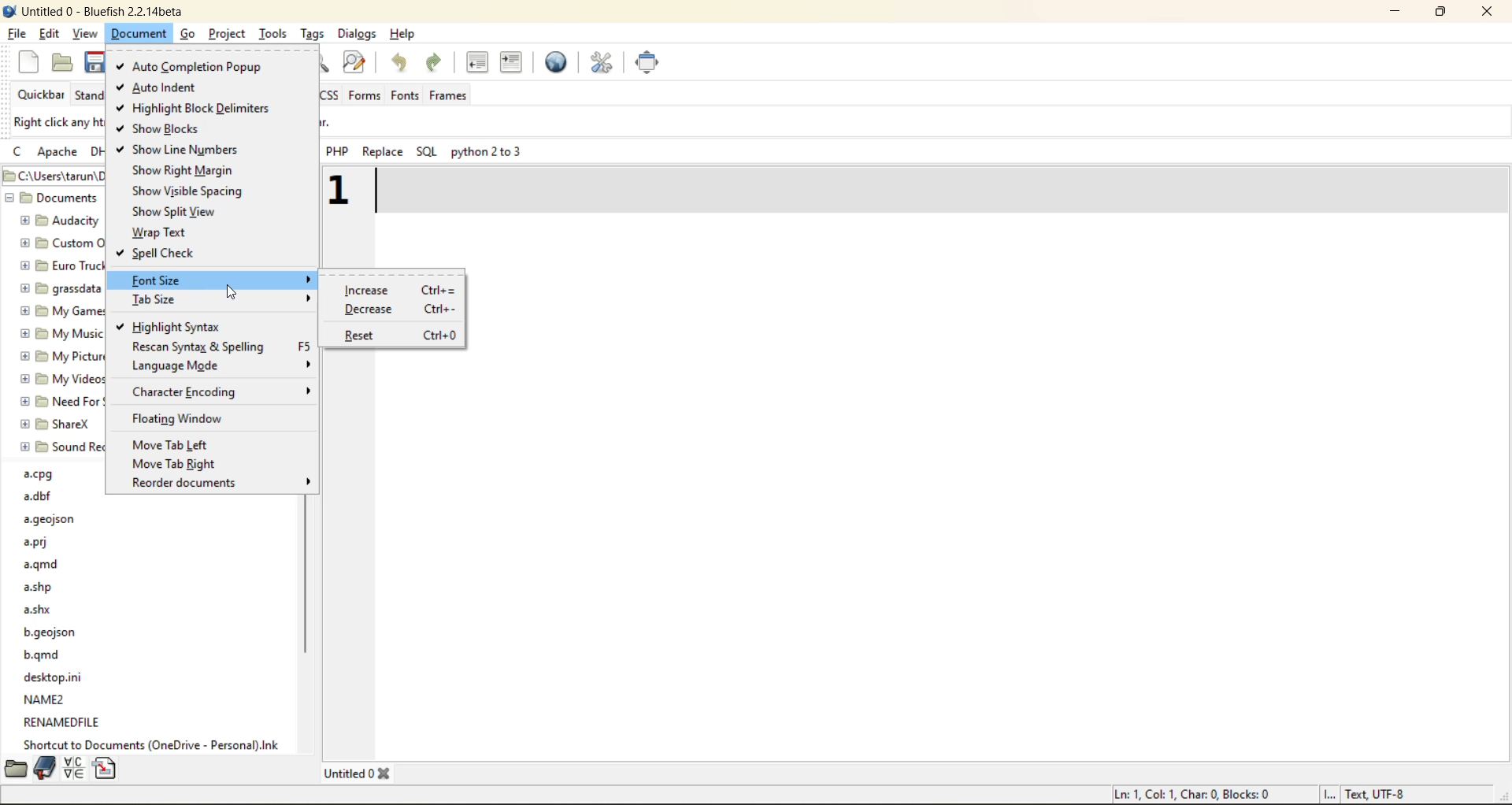 The width and height of the screenshot is (1512, 805). Describe the element at coordinates (161, 88) in the screenshot. I see `auto indent` at that location.